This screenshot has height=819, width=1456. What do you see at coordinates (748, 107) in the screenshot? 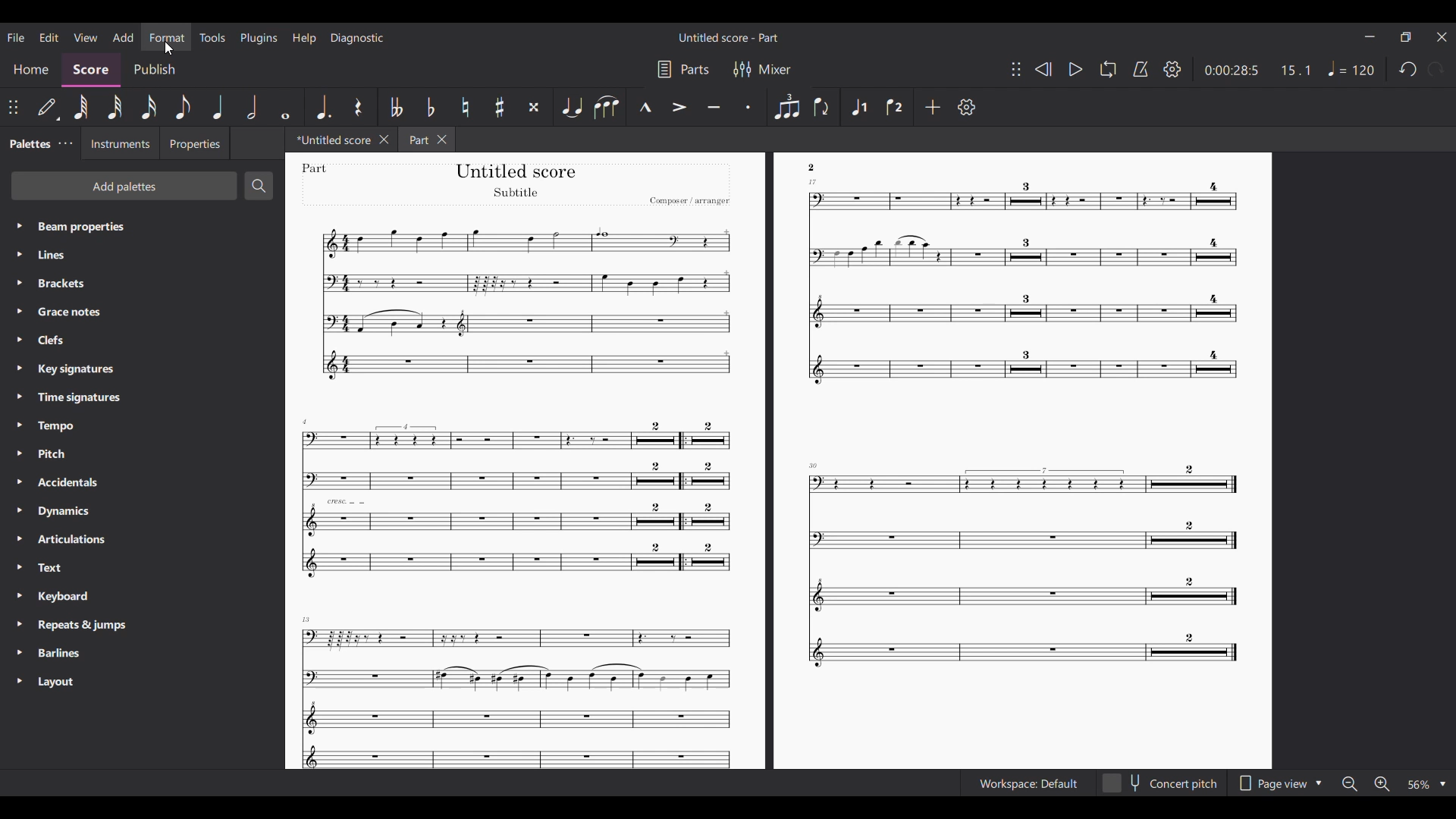
I see `Staccato` at bounding box center [748, 107].